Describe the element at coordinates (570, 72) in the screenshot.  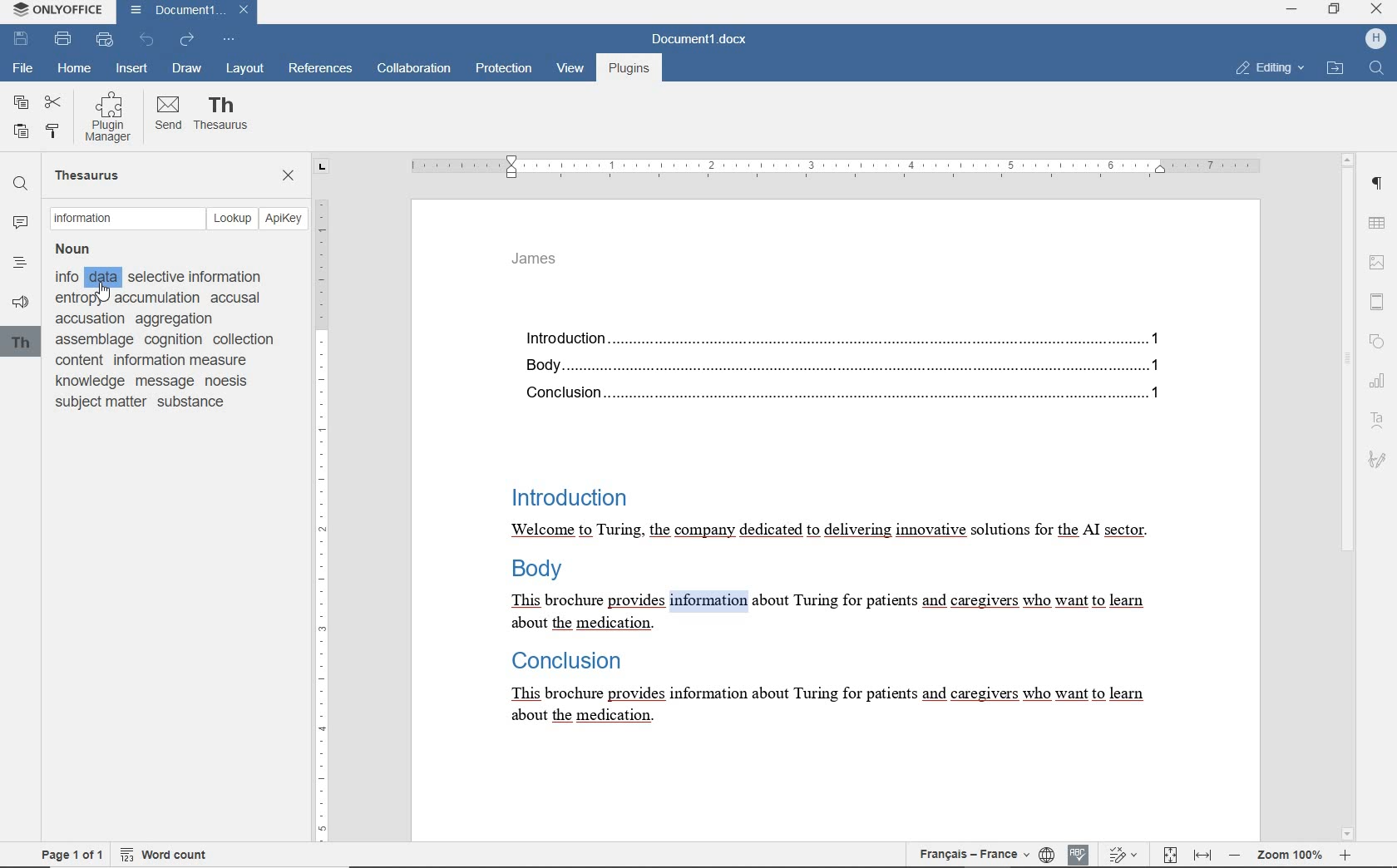
I see `VIEW` at that location.